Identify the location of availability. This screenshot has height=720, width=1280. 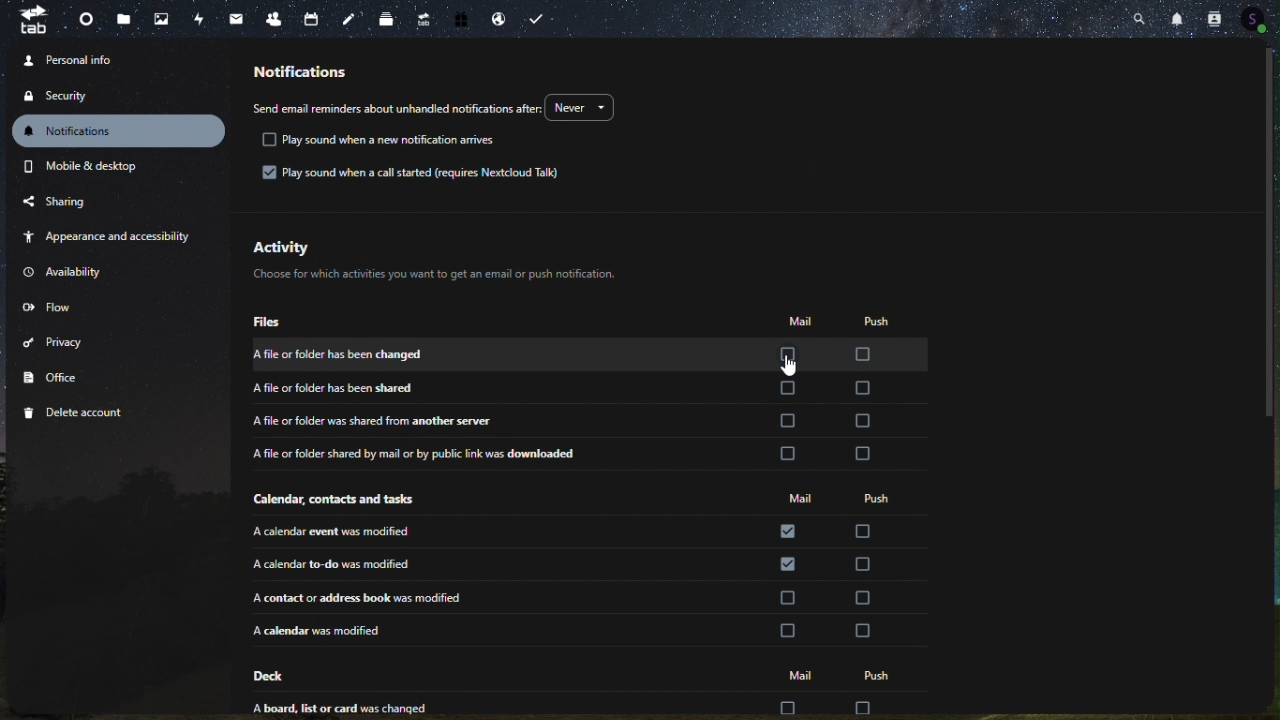
(82, 272).